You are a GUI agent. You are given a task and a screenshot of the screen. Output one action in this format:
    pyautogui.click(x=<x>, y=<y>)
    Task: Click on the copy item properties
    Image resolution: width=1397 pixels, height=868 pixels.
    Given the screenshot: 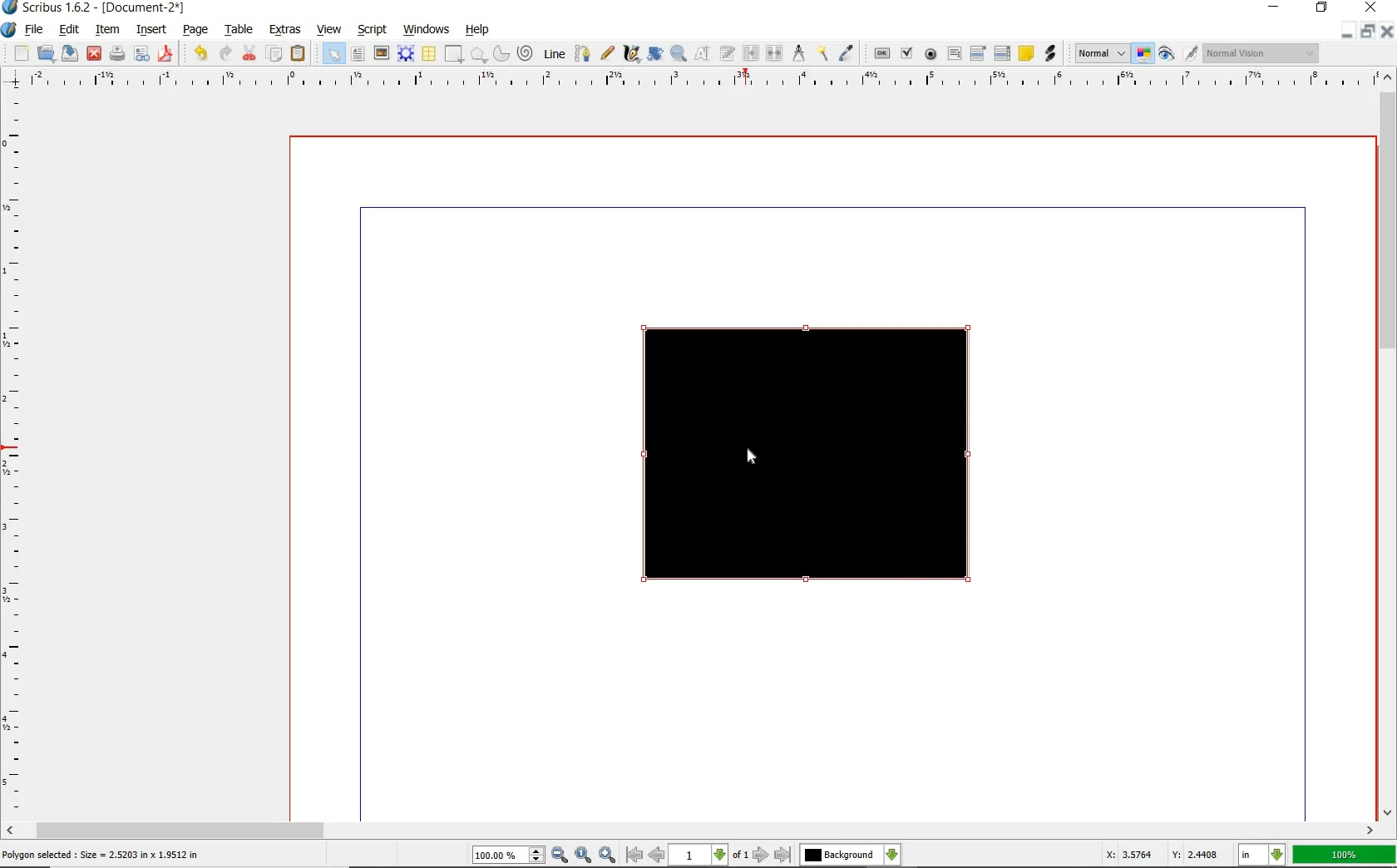 What is the action you would take?
    pyautogui.click(x=822, y=56)
    